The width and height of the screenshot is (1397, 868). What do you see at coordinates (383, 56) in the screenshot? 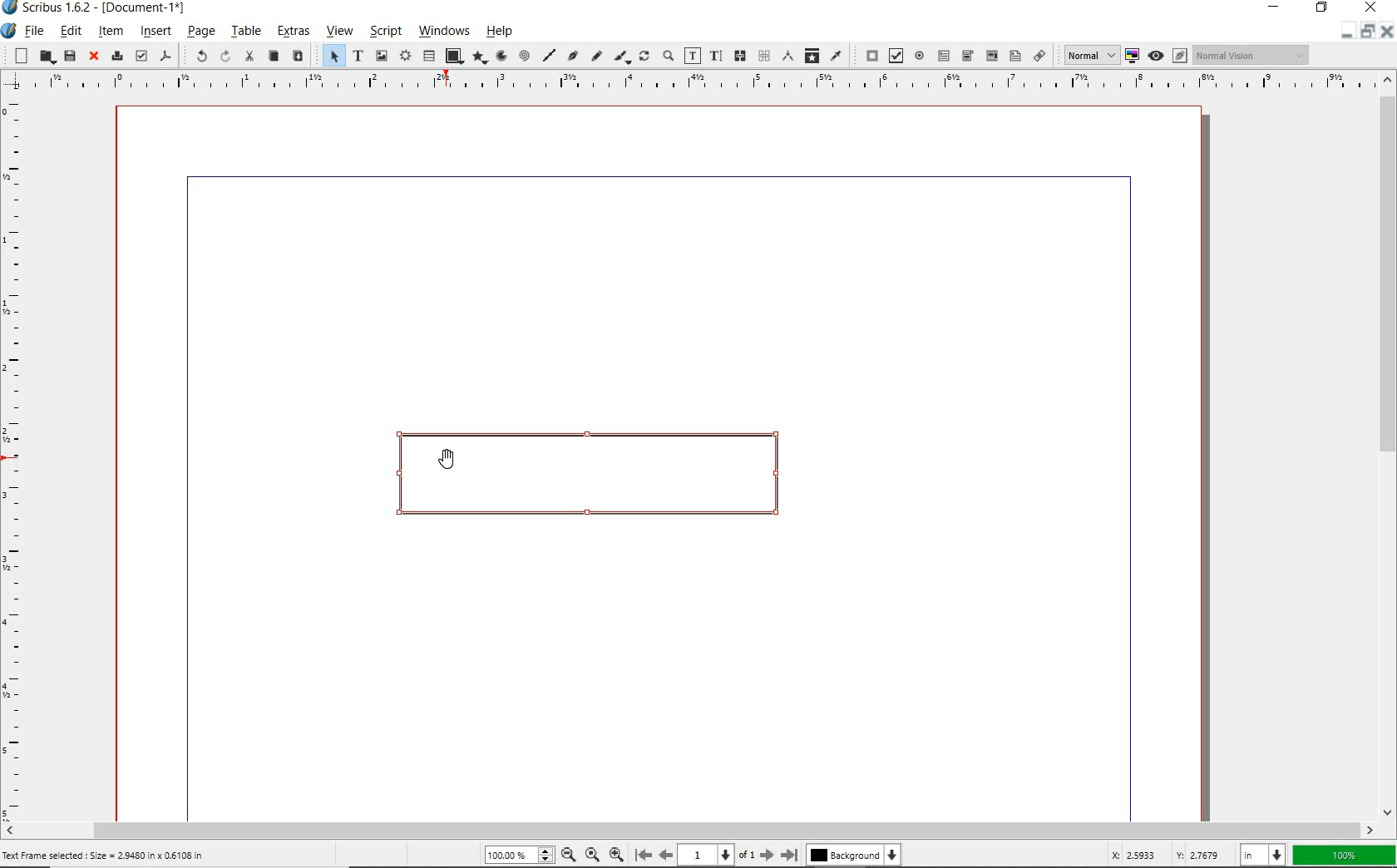
I see `image frame` at bounding box center [383, 56].